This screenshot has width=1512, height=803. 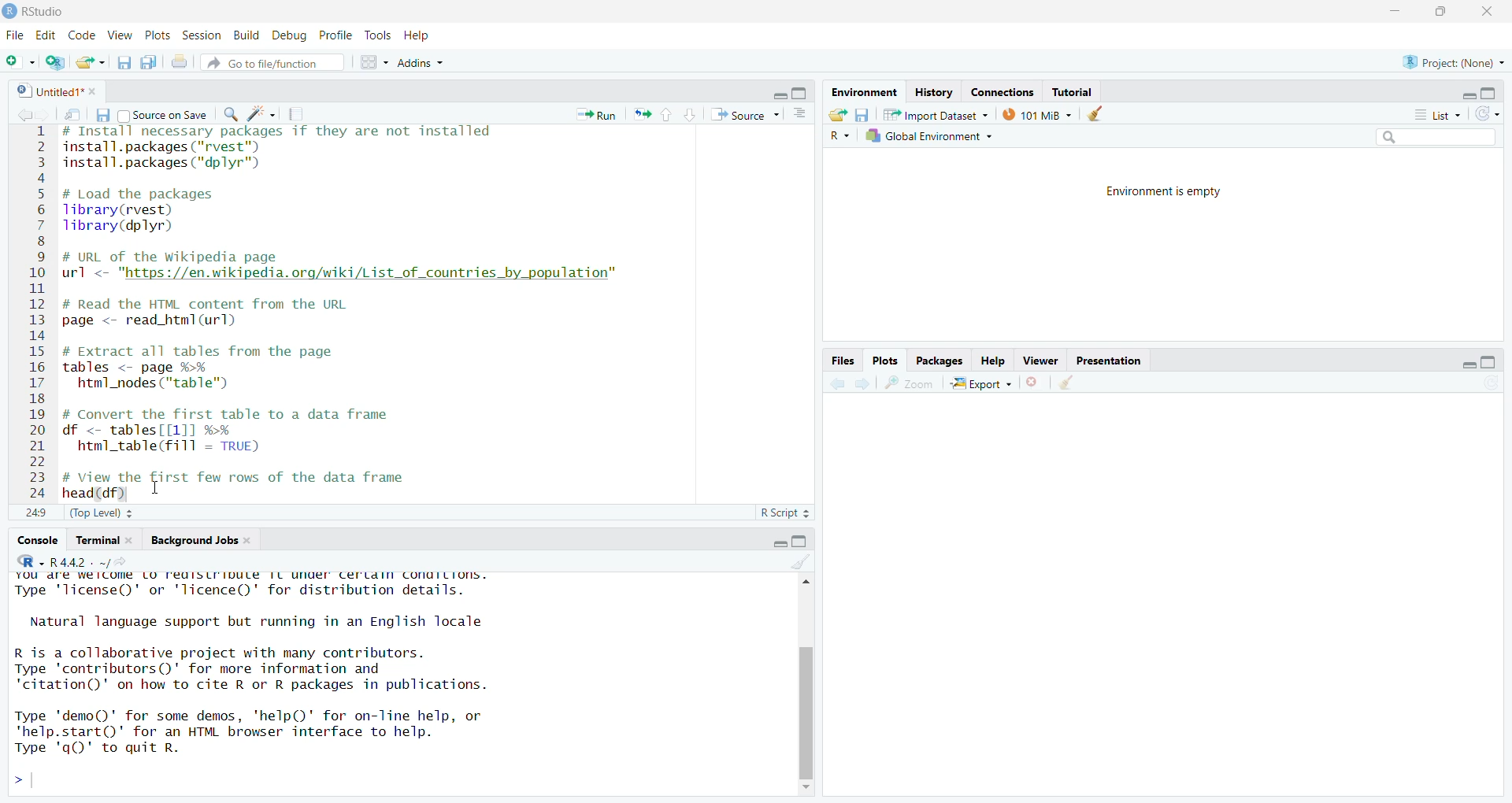 I want to click on up, so click(x=668, y=115).